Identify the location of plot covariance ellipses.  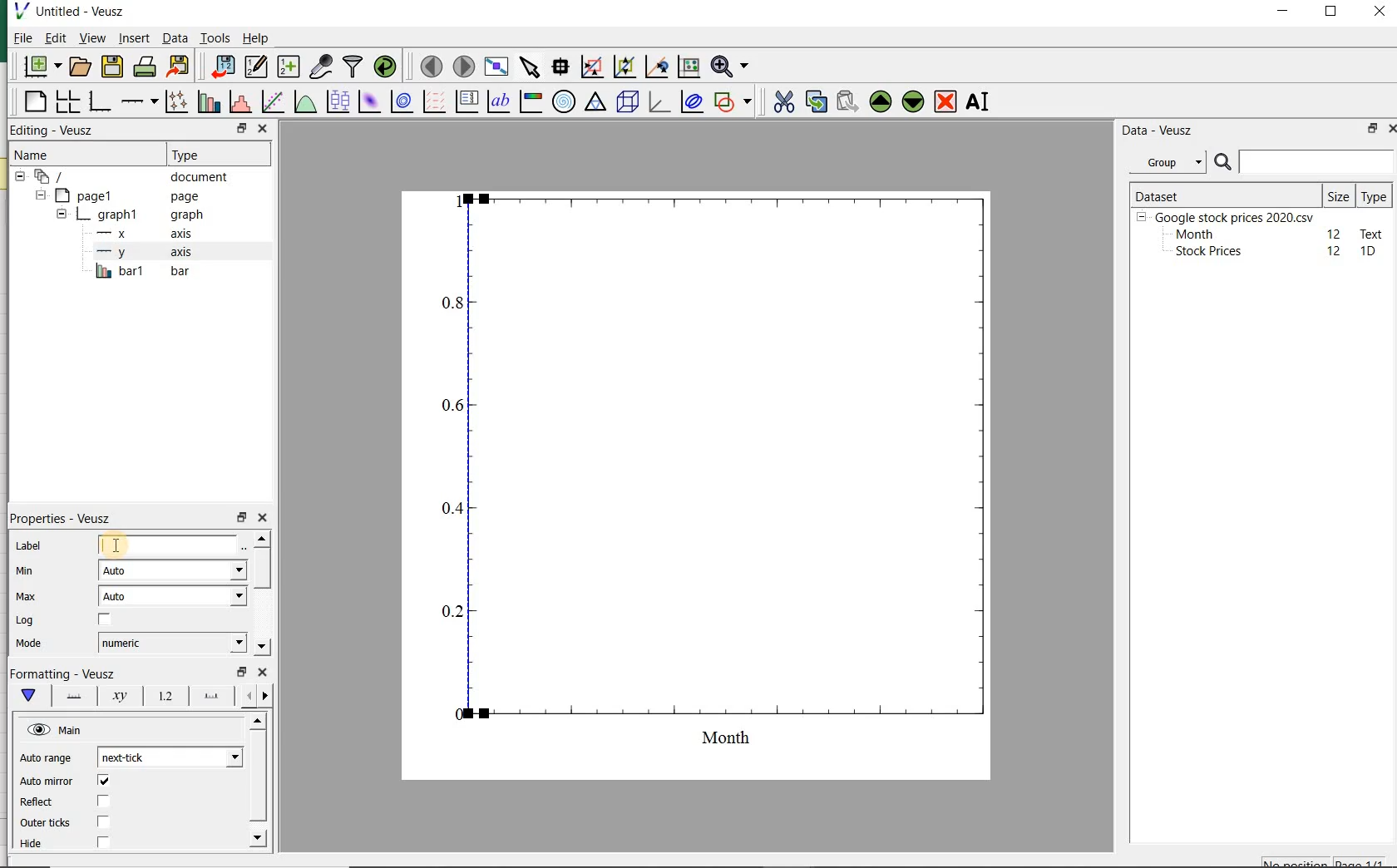
(692, 102).